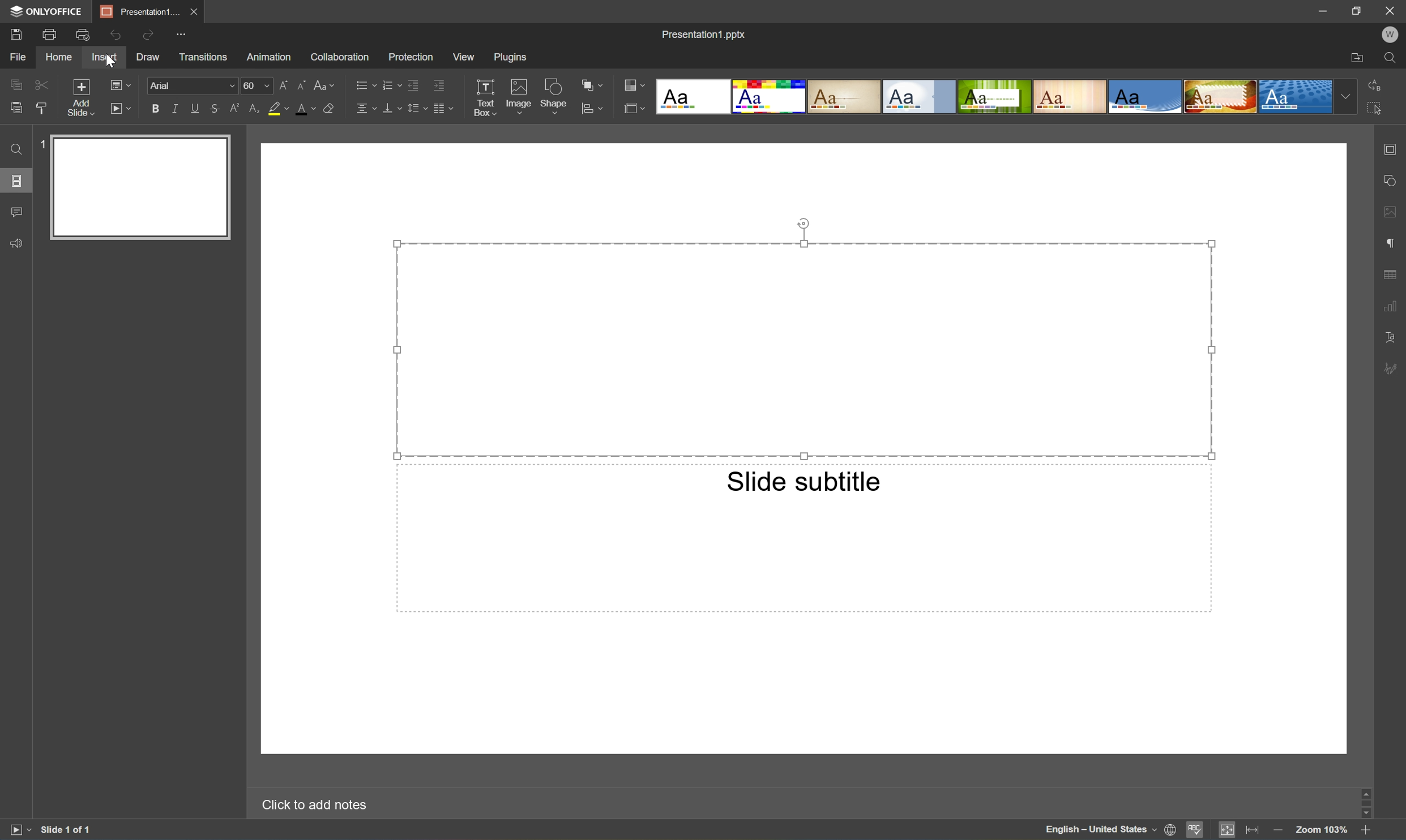 The image size is (1406, 840). Describe the element at coordinates (79, 826) in the screenshot. I see `Slide 1 of 1` at that location.